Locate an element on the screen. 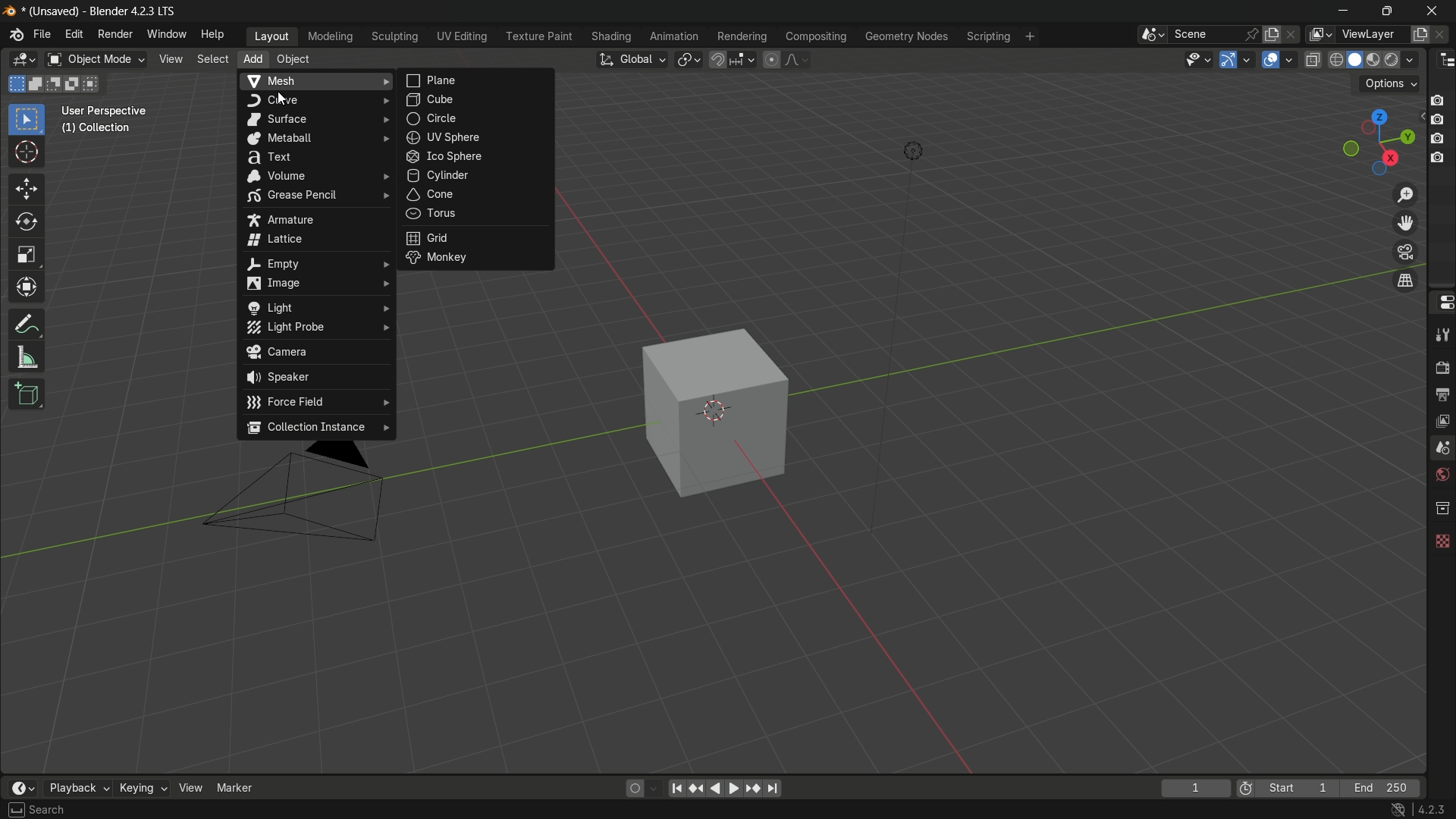 The width and height of the screenshot is (1456, 819). cursor is located at coordinates (282, 98).